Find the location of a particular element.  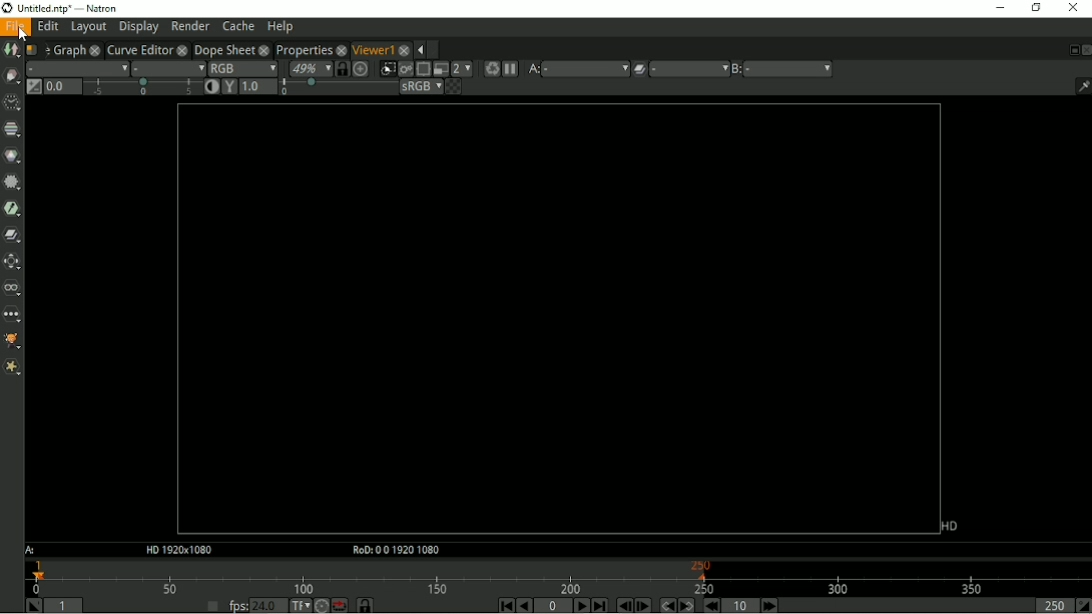

selection bar is located at coordinates (142, 88).